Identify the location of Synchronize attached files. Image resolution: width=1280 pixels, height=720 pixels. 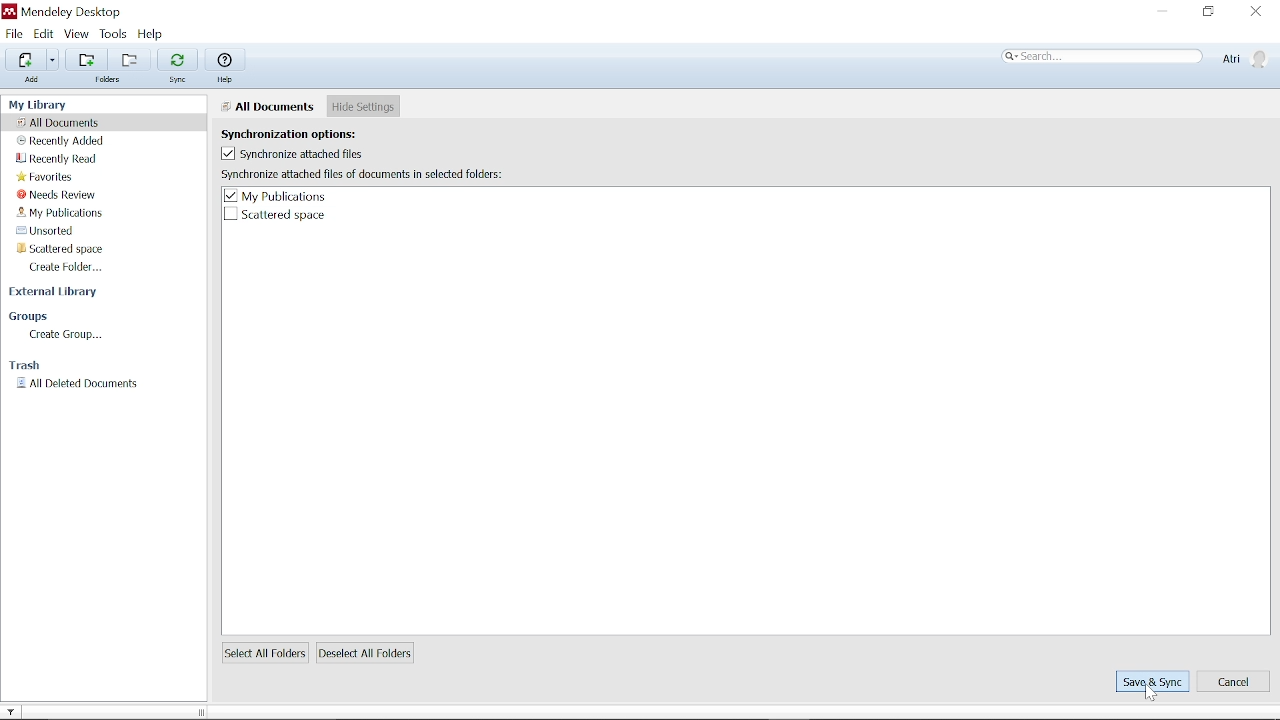
(291, 154).